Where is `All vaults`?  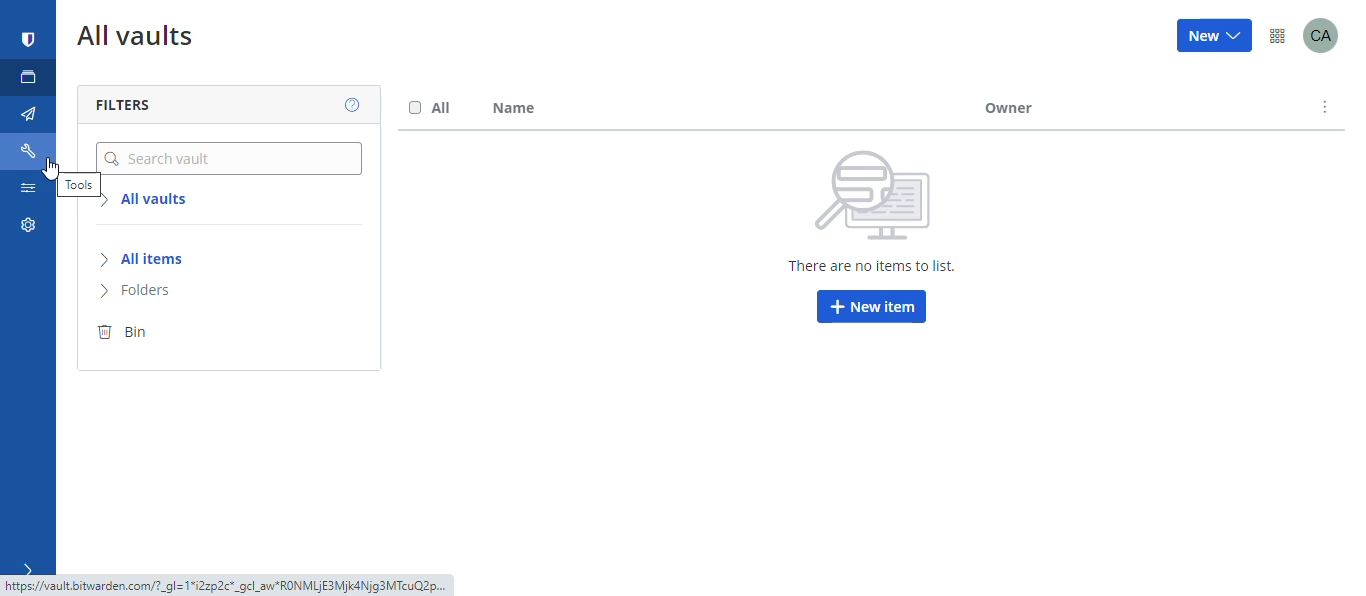 All vaults is located at coordinates (158, 202).